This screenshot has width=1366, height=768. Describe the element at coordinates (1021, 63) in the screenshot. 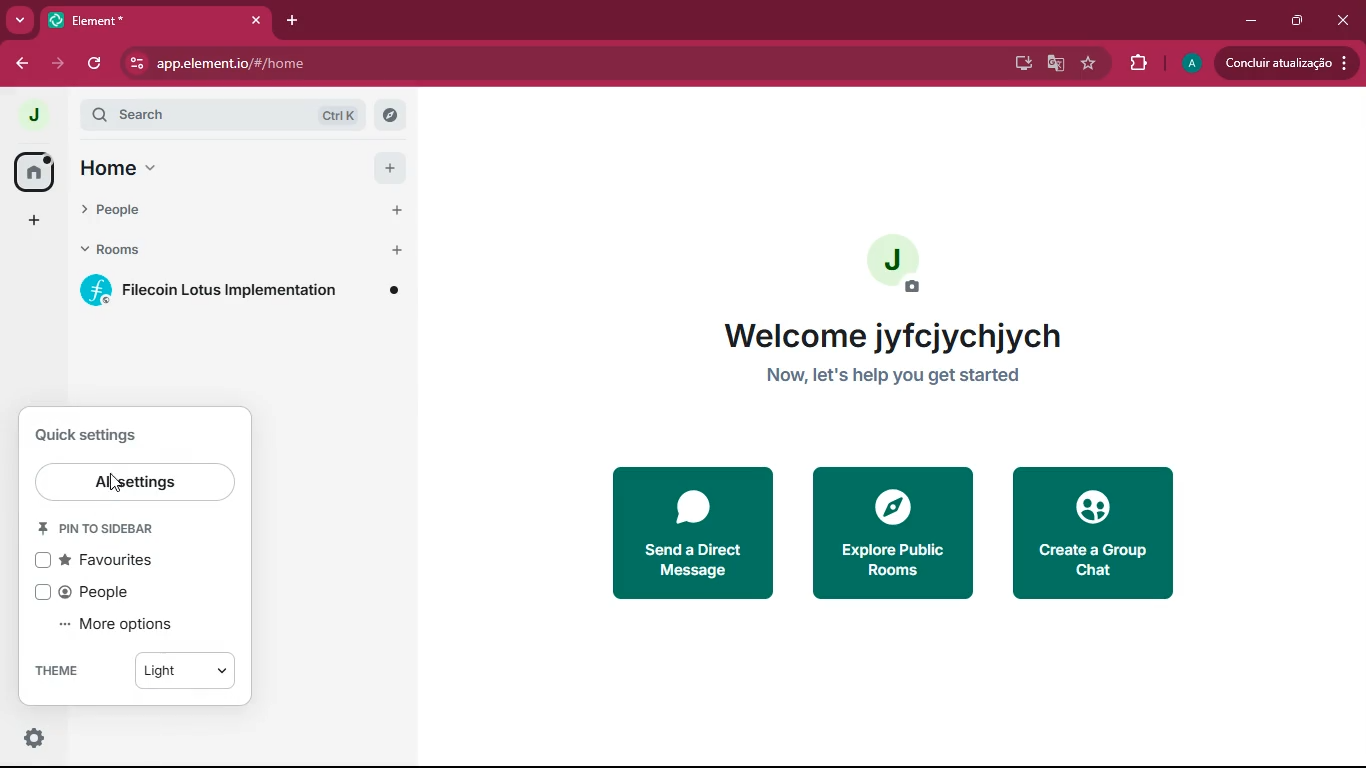

I see `desktop` at that location.